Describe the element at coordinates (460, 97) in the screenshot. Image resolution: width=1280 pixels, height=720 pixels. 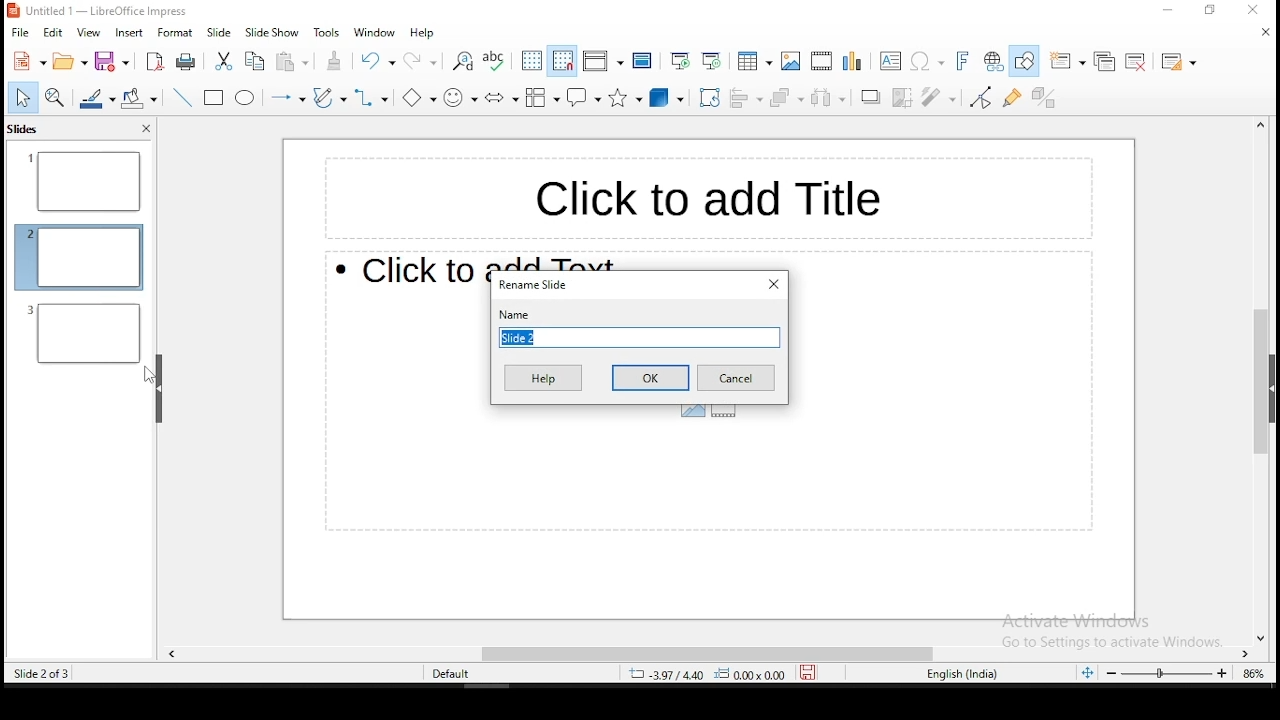
I see `symbol shapes` at that location.